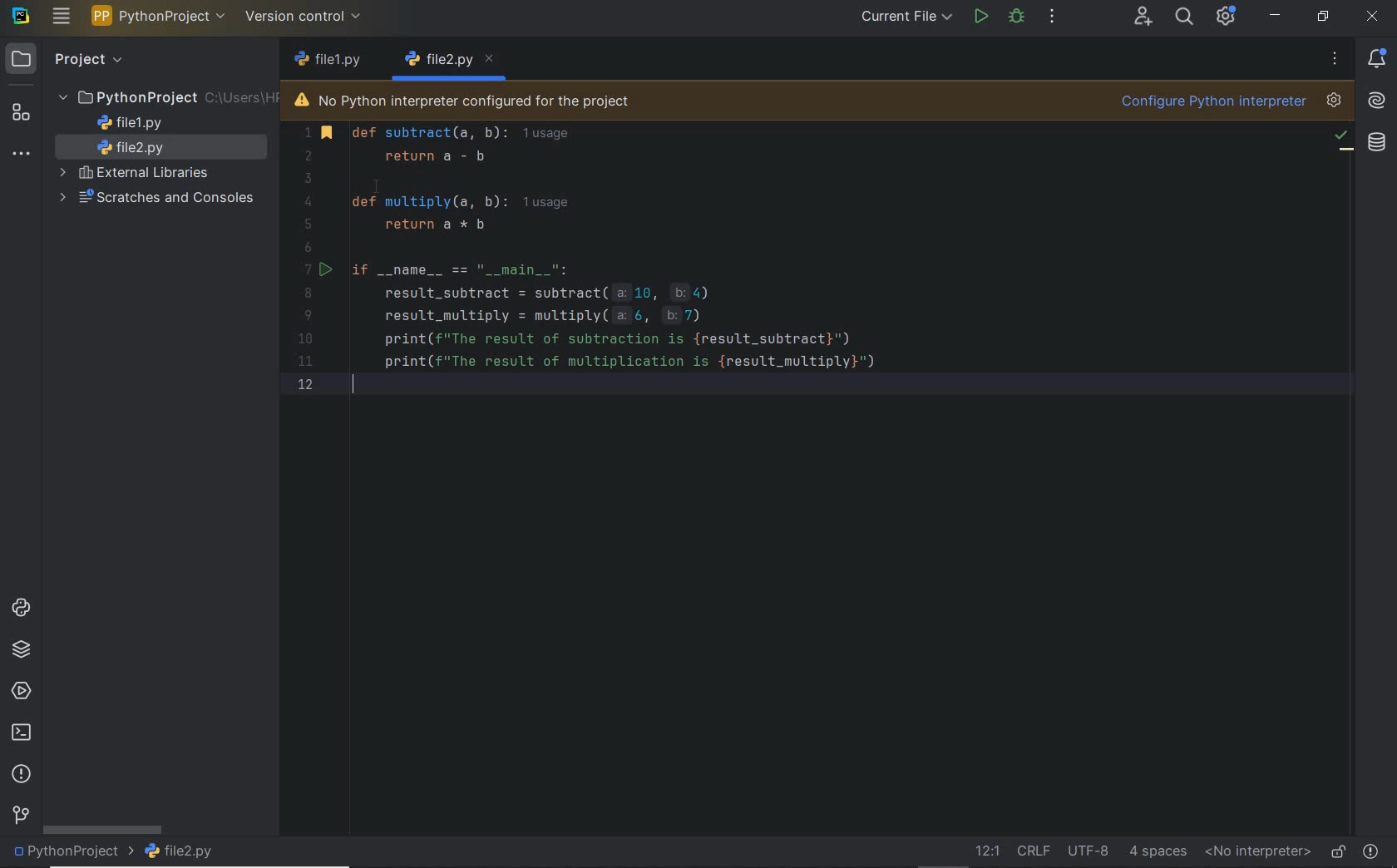 The width and height of the screenshot is (1397, 868). Describe the element at coordinates (160, 16) in the screenshot. I see `project name` at that location.